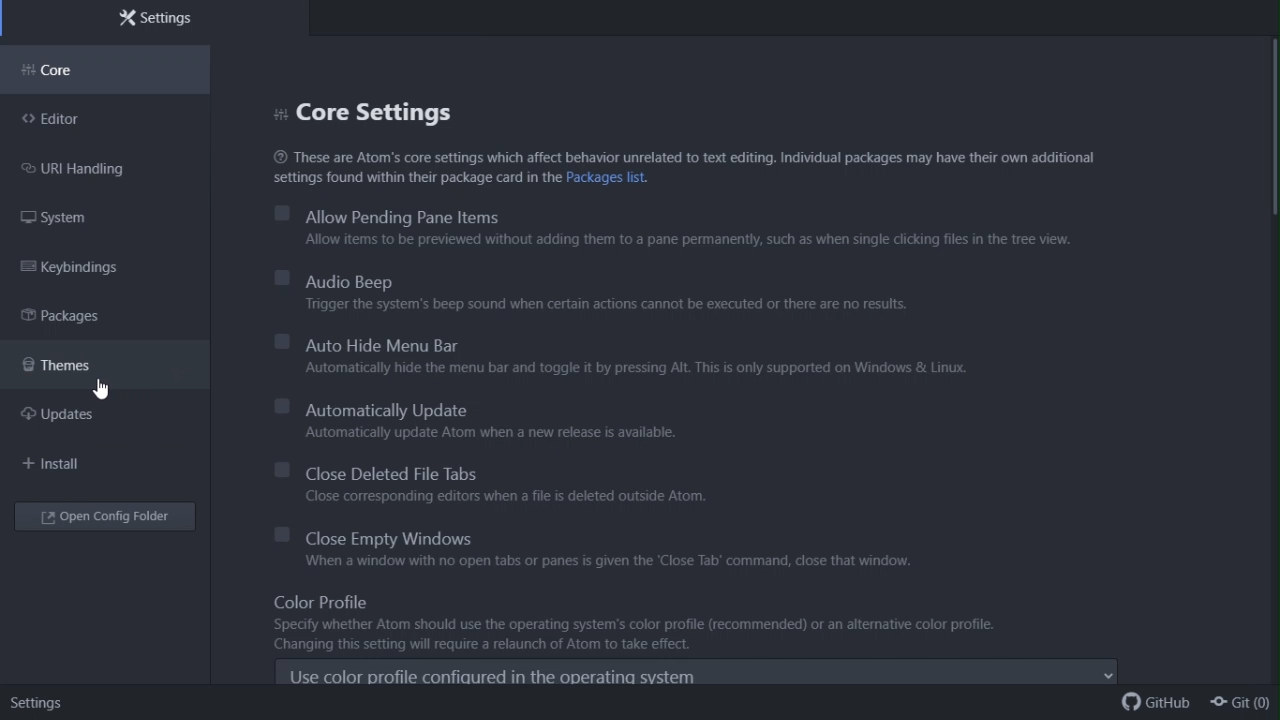 This screenshot has height=720, width=1280. I want to click on cursor, so click(99, 385).